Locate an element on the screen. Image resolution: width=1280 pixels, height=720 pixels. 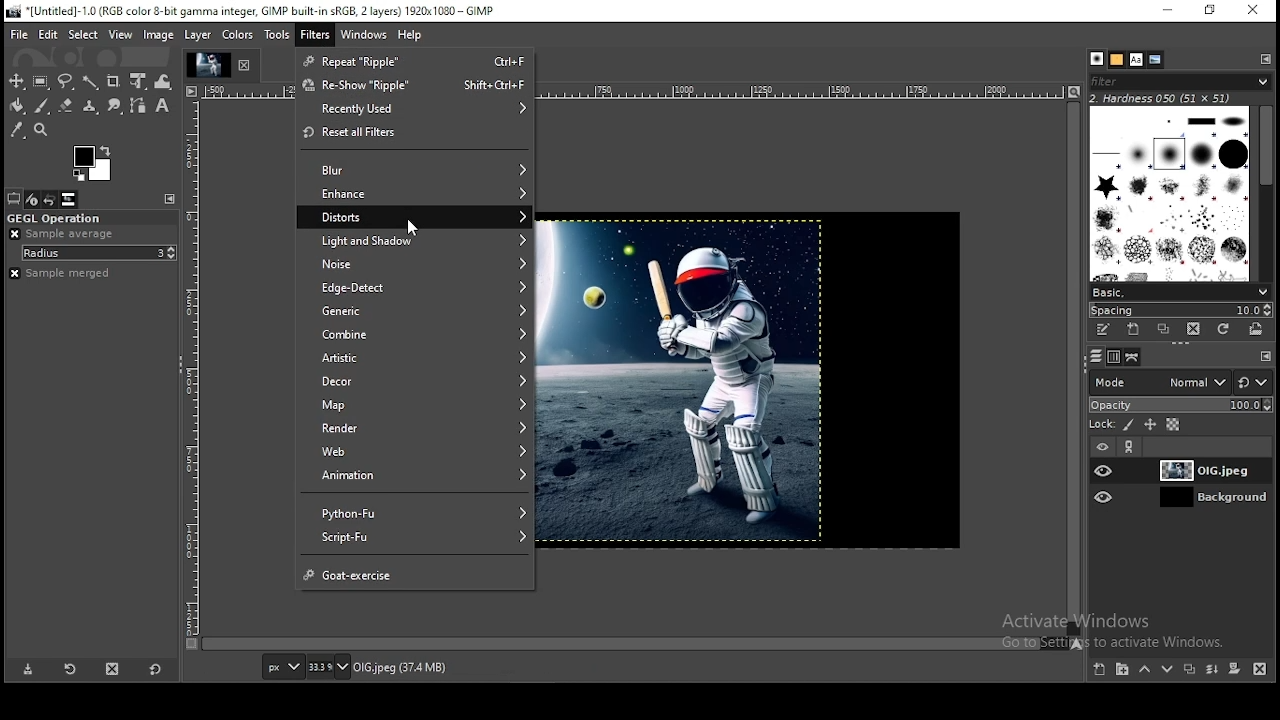
colors is located at coordinates (239, 35).